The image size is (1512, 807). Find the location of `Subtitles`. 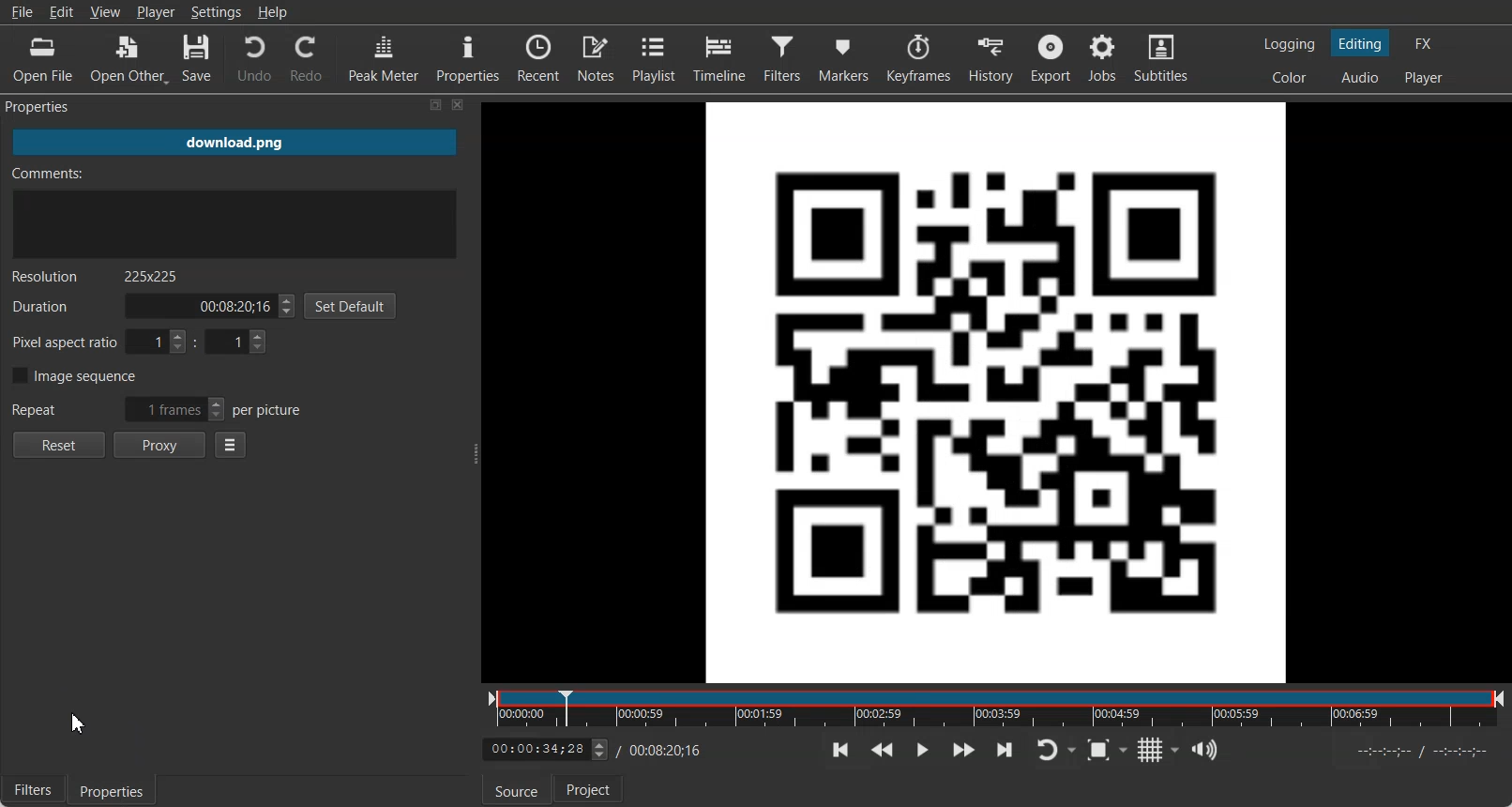

Subtitles is located at coordinates (1161, 59).